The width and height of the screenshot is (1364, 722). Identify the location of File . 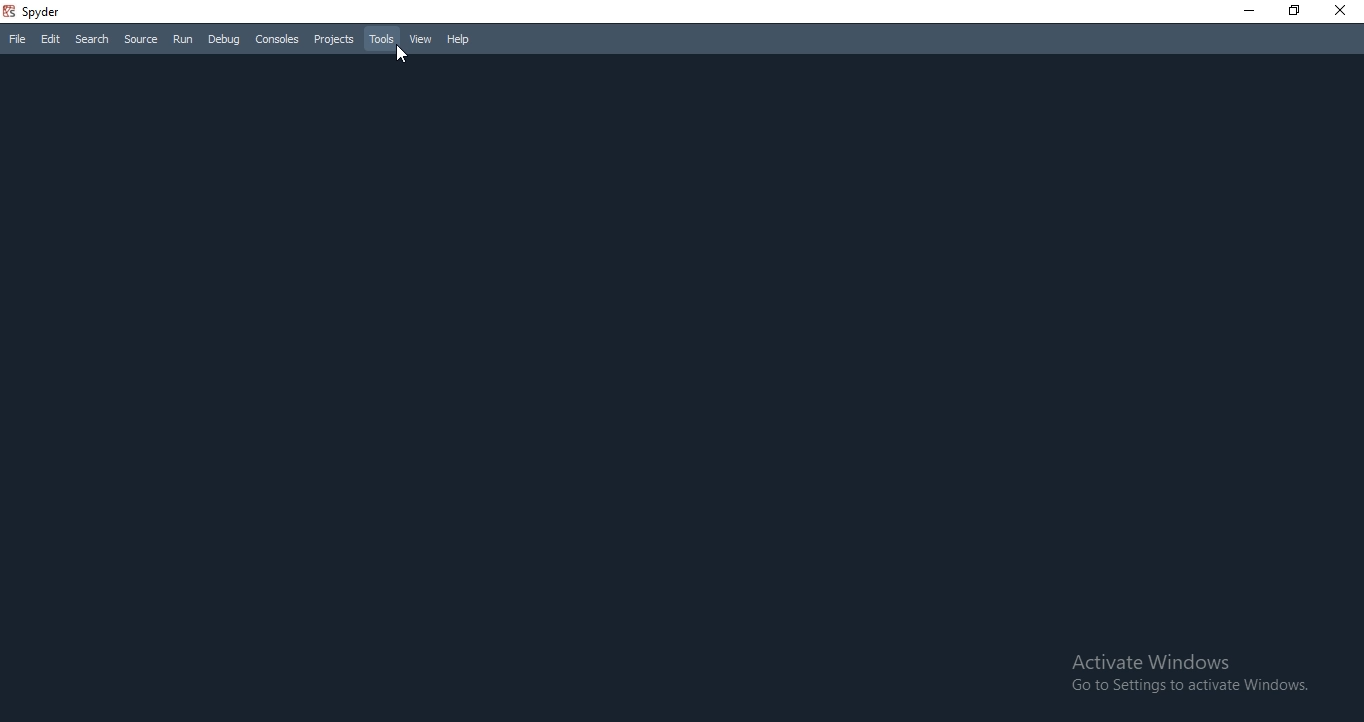
(14, 41).